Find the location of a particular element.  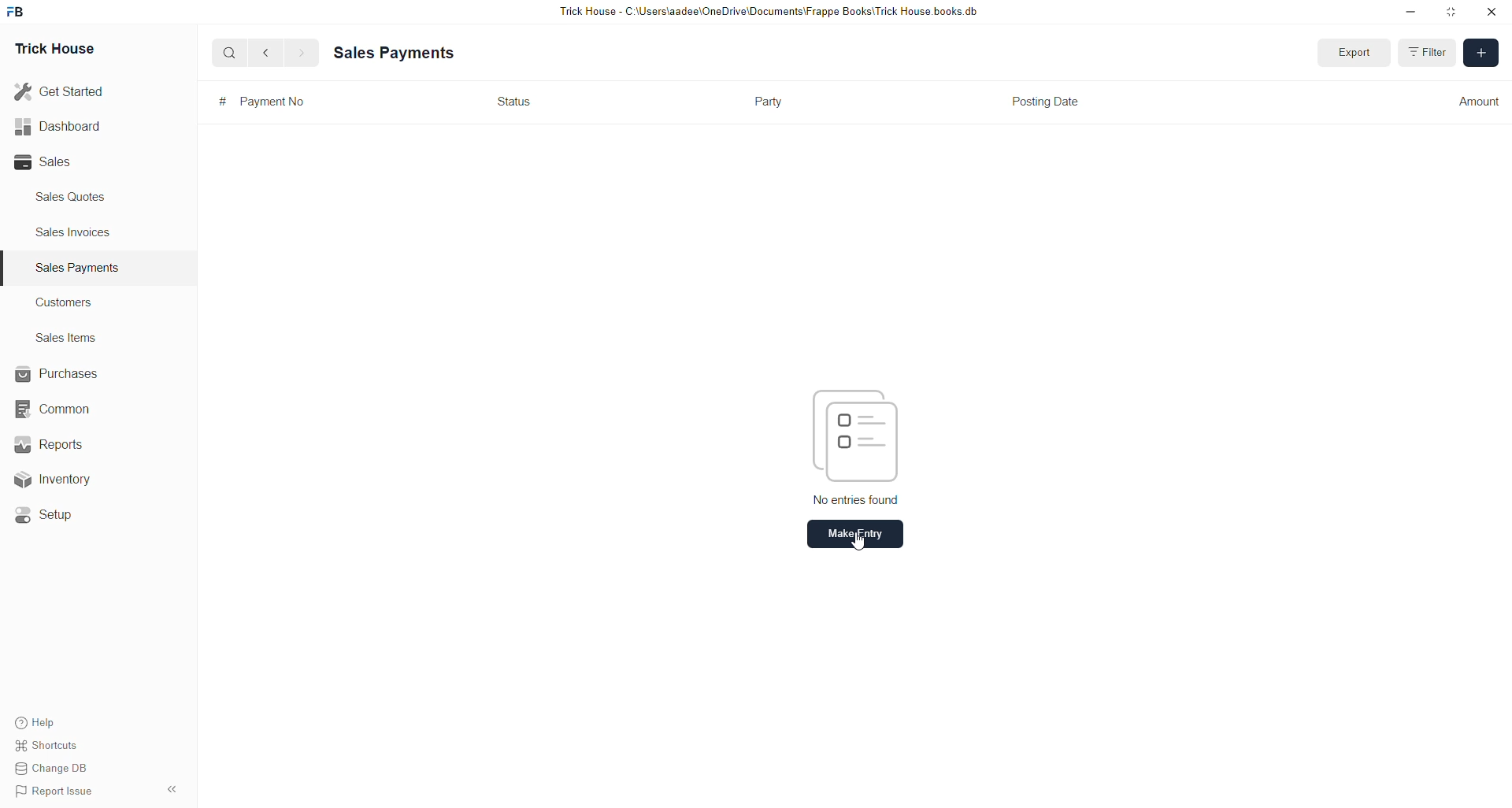

Reports is located at coordinates (59, 443).